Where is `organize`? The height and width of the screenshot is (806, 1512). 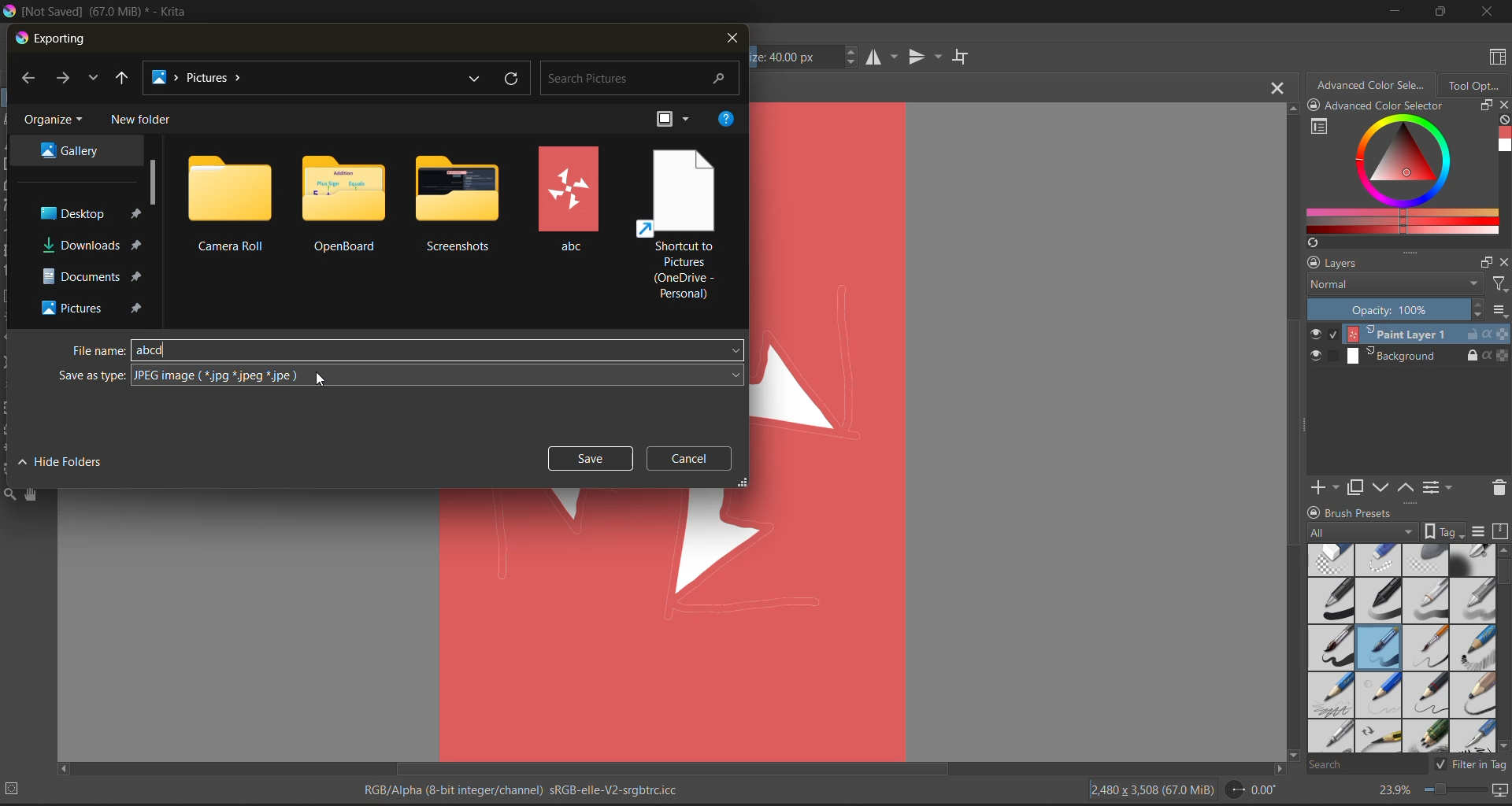 organize is located at coordinates (54, 122).